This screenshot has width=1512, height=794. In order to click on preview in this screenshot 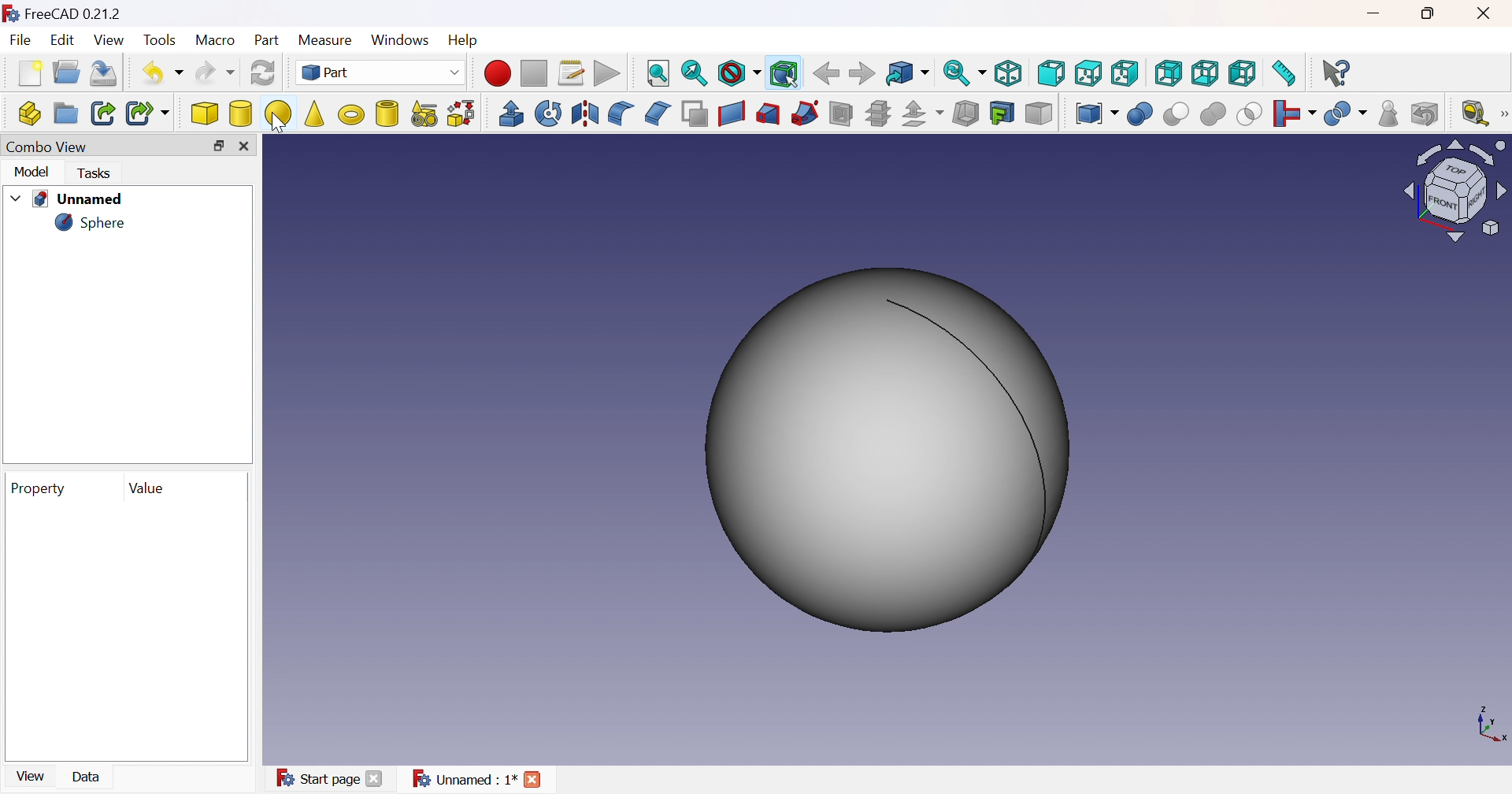, I will do `click(125, 633)`.